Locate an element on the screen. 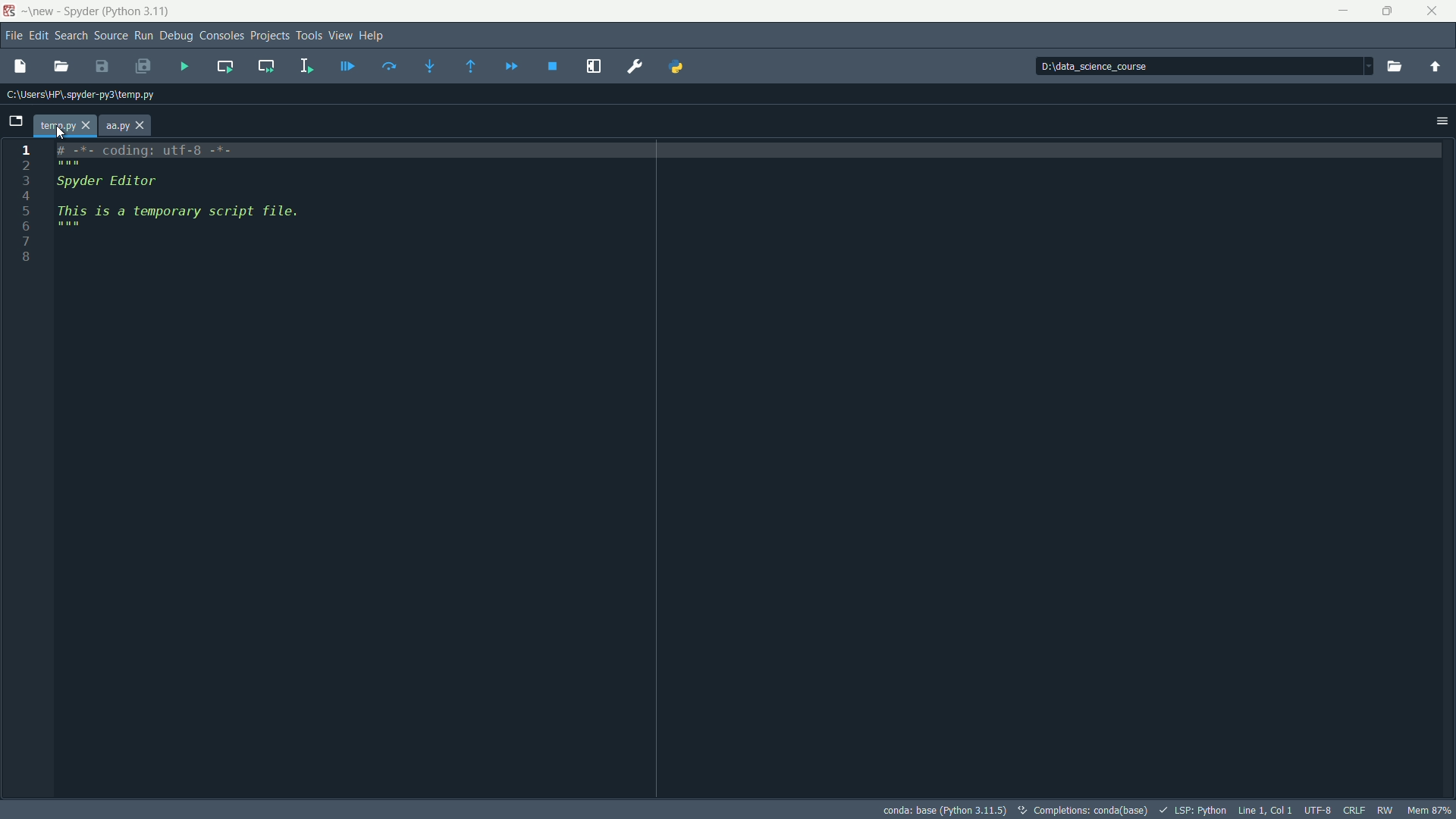  new file is located at coordinates (21, 67).